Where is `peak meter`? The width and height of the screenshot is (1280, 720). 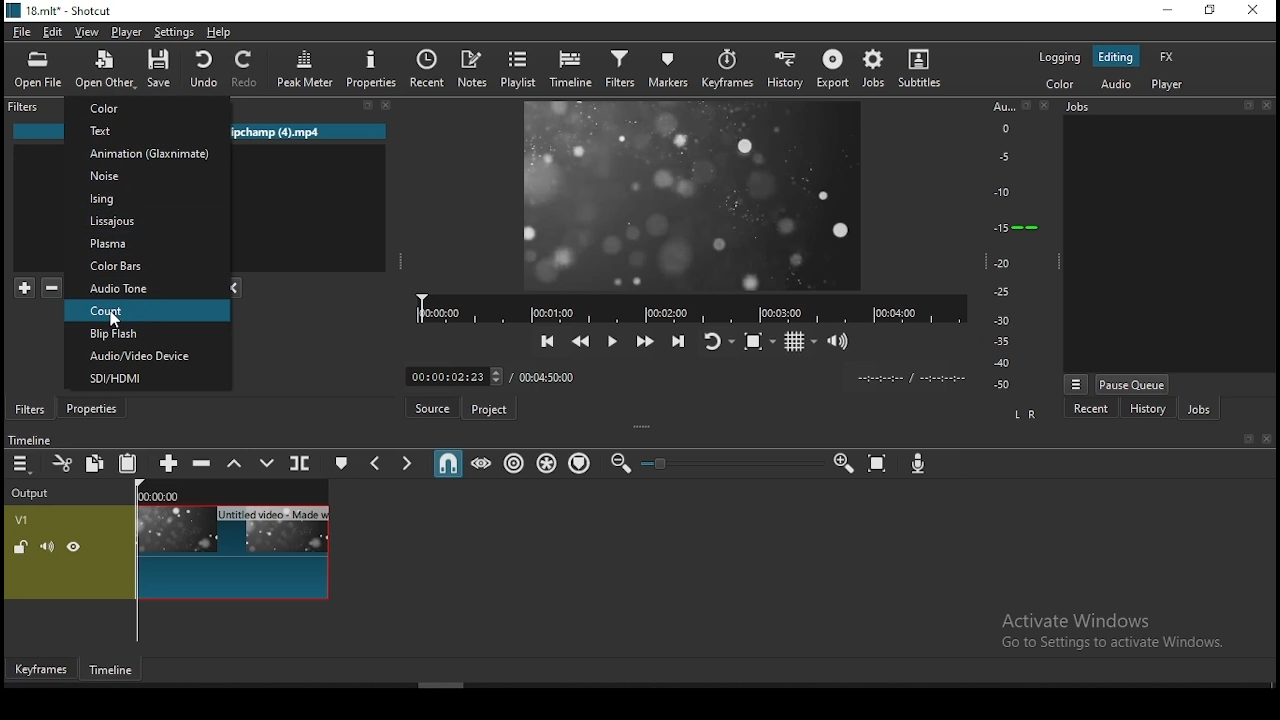
peak meter is located at coordinates (307, 70).